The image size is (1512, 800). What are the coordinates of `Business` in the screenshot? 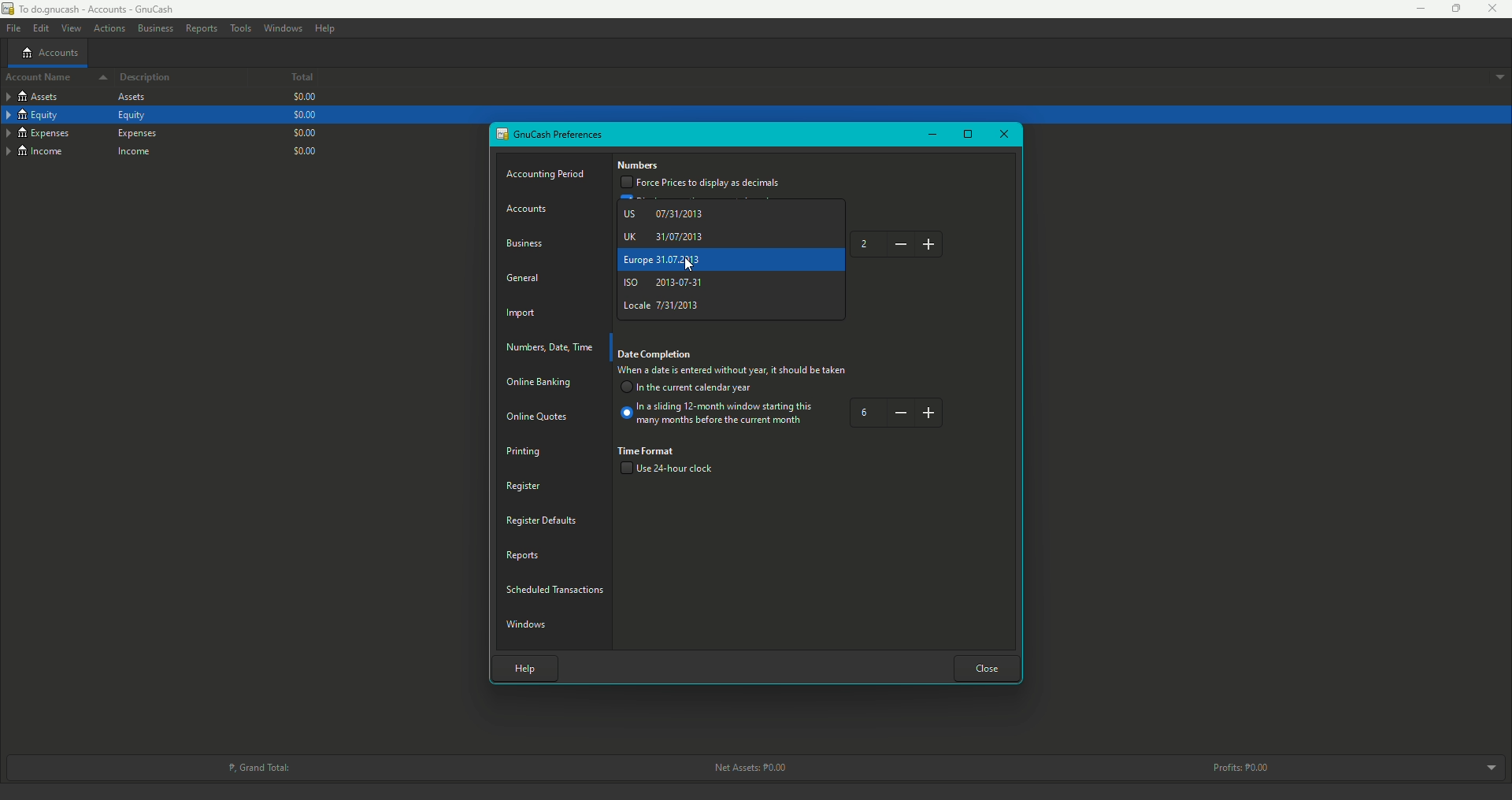 It's located at (154, 27).